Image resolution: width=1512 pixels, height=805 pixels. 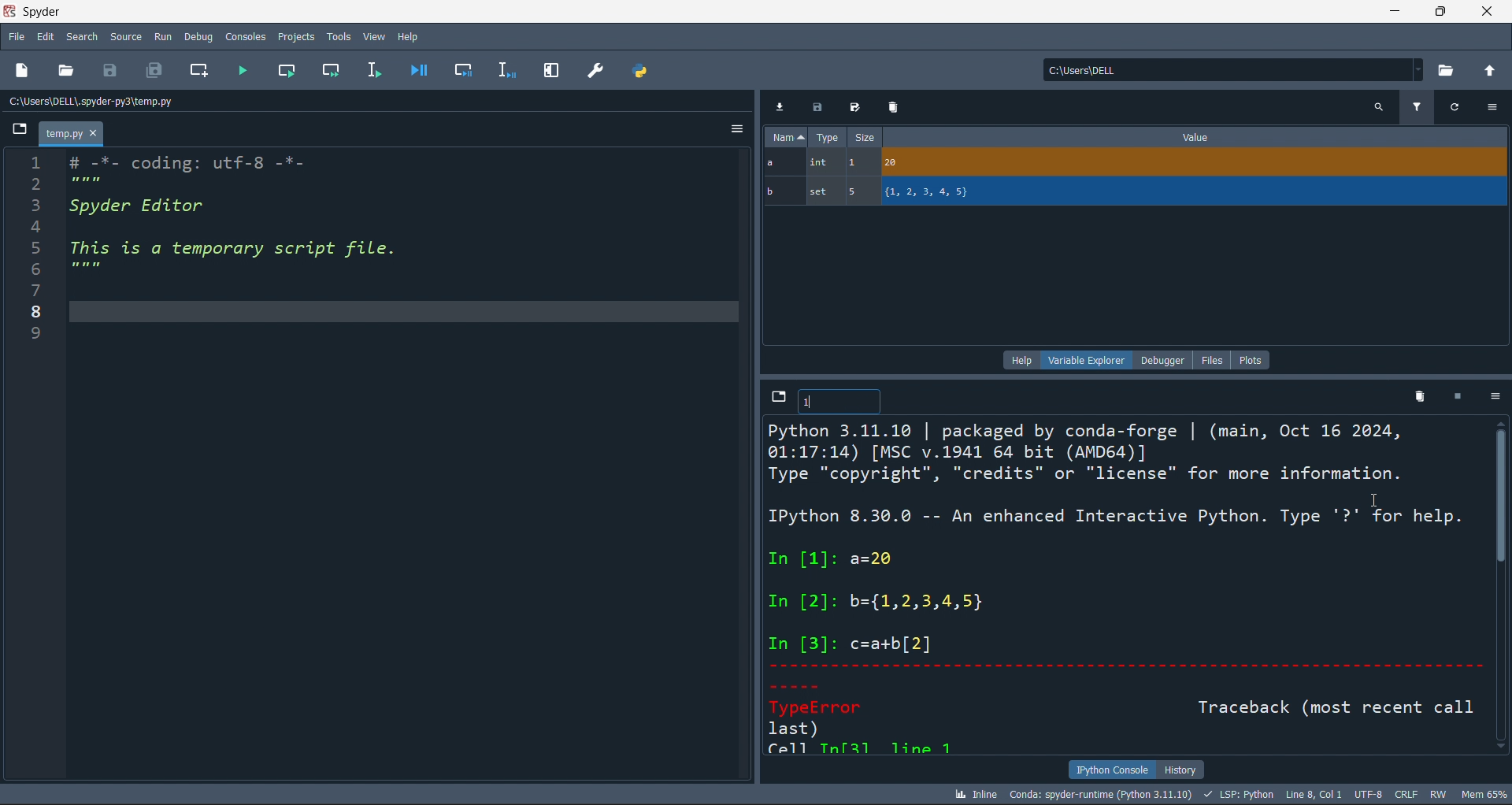 I want to click on open parent directory, so click(x=1492, y=69).